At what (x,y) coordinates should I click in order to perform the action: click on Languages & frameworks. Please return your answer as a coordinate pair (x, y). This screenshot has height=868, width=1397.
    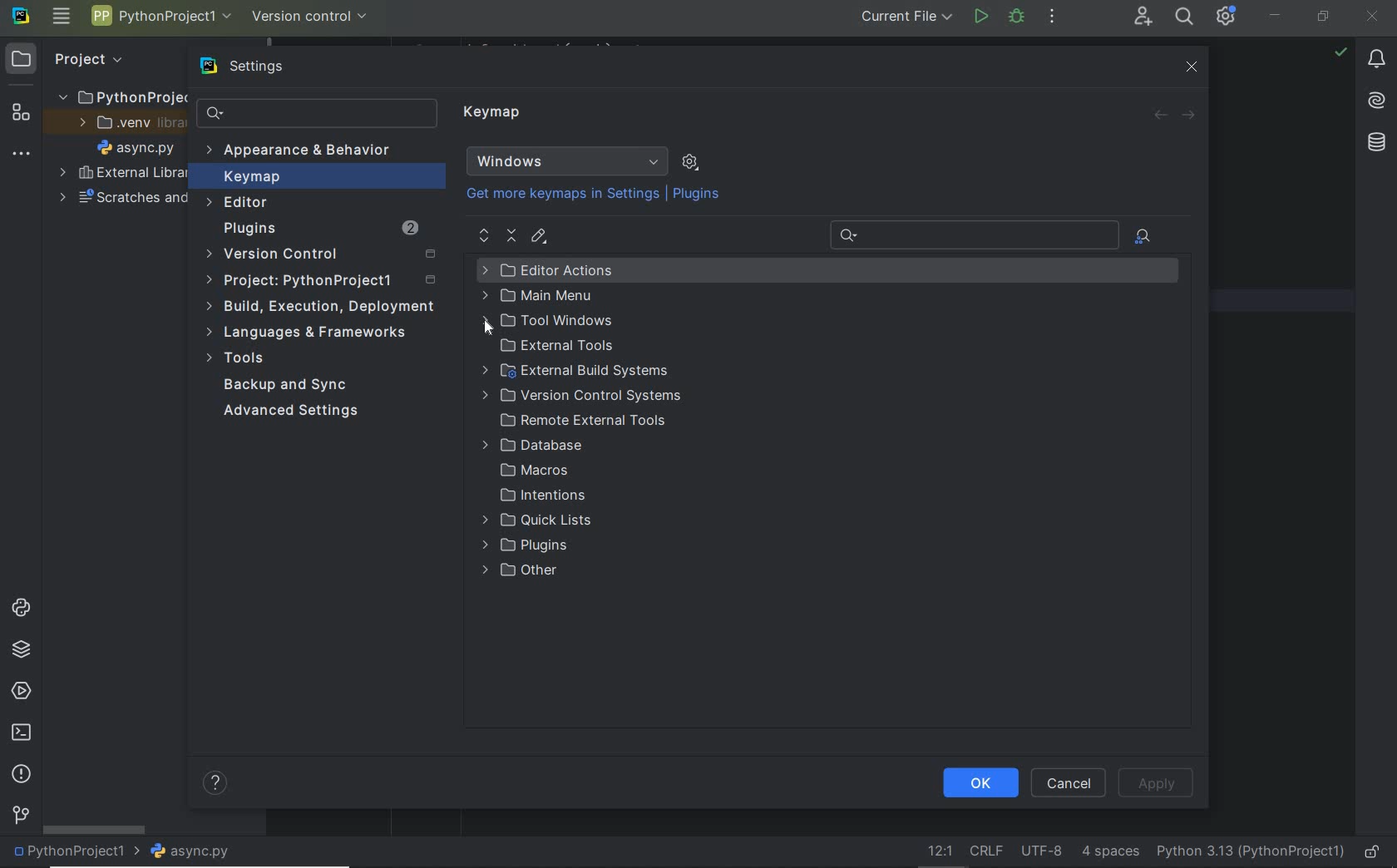
    Looking at the image, I should click on (310, 334).